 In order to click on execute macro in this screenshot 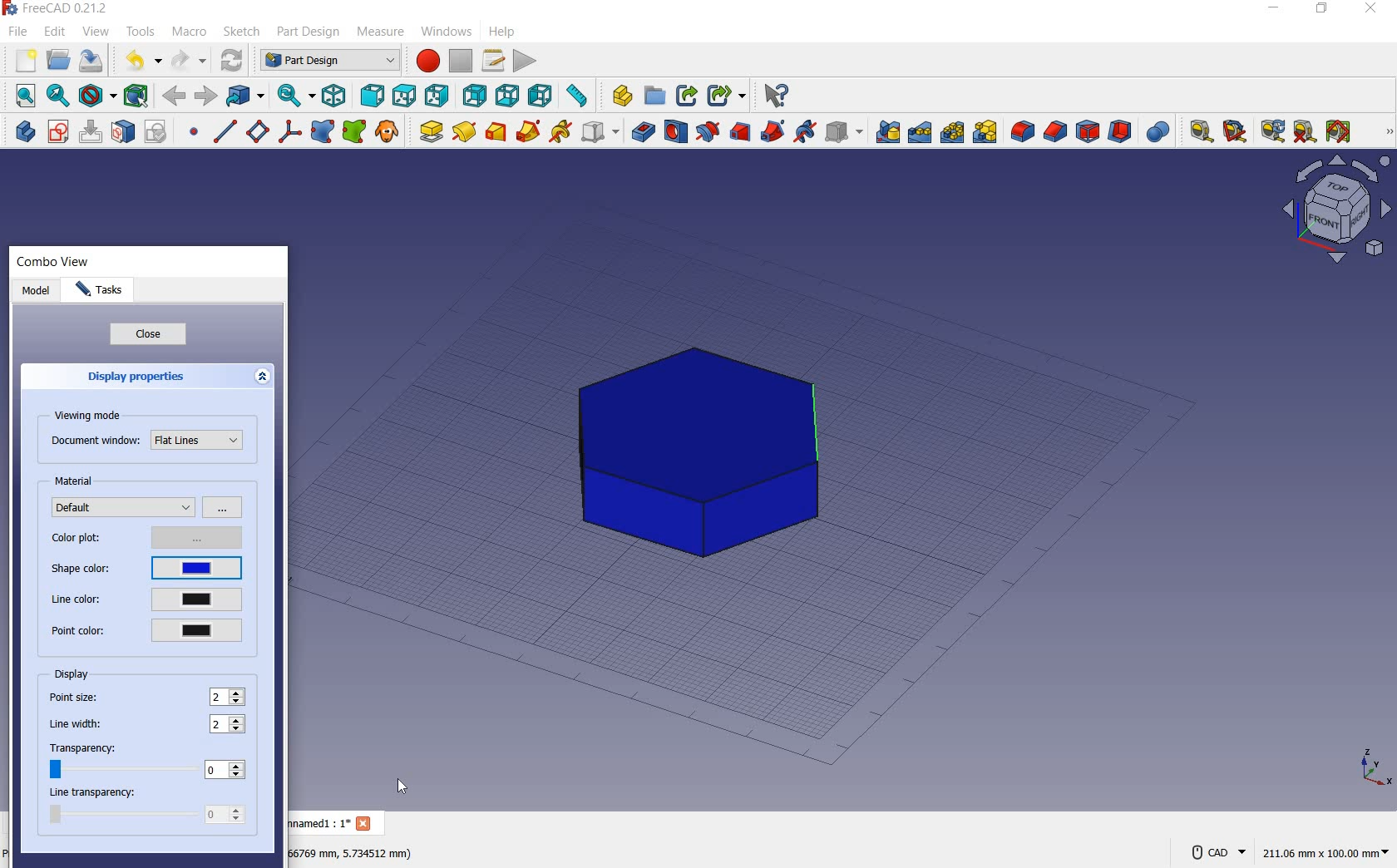, I will do `click(526, 62)`.